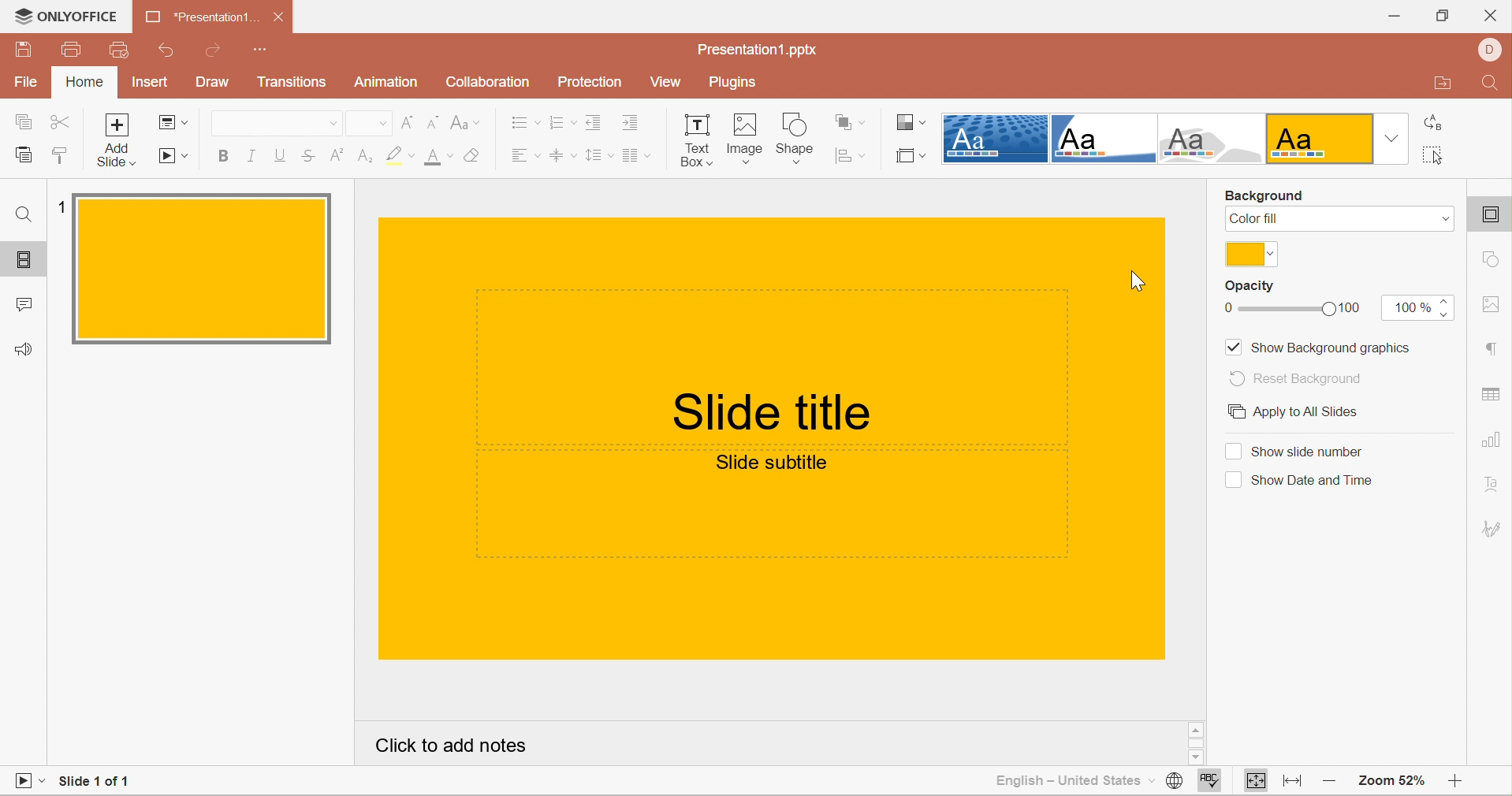 Image resolution: width=1512 pixels, height=796 pixels. Describe the element at coordinates (744, 136) in the screenshot. I see `Image` at that location.